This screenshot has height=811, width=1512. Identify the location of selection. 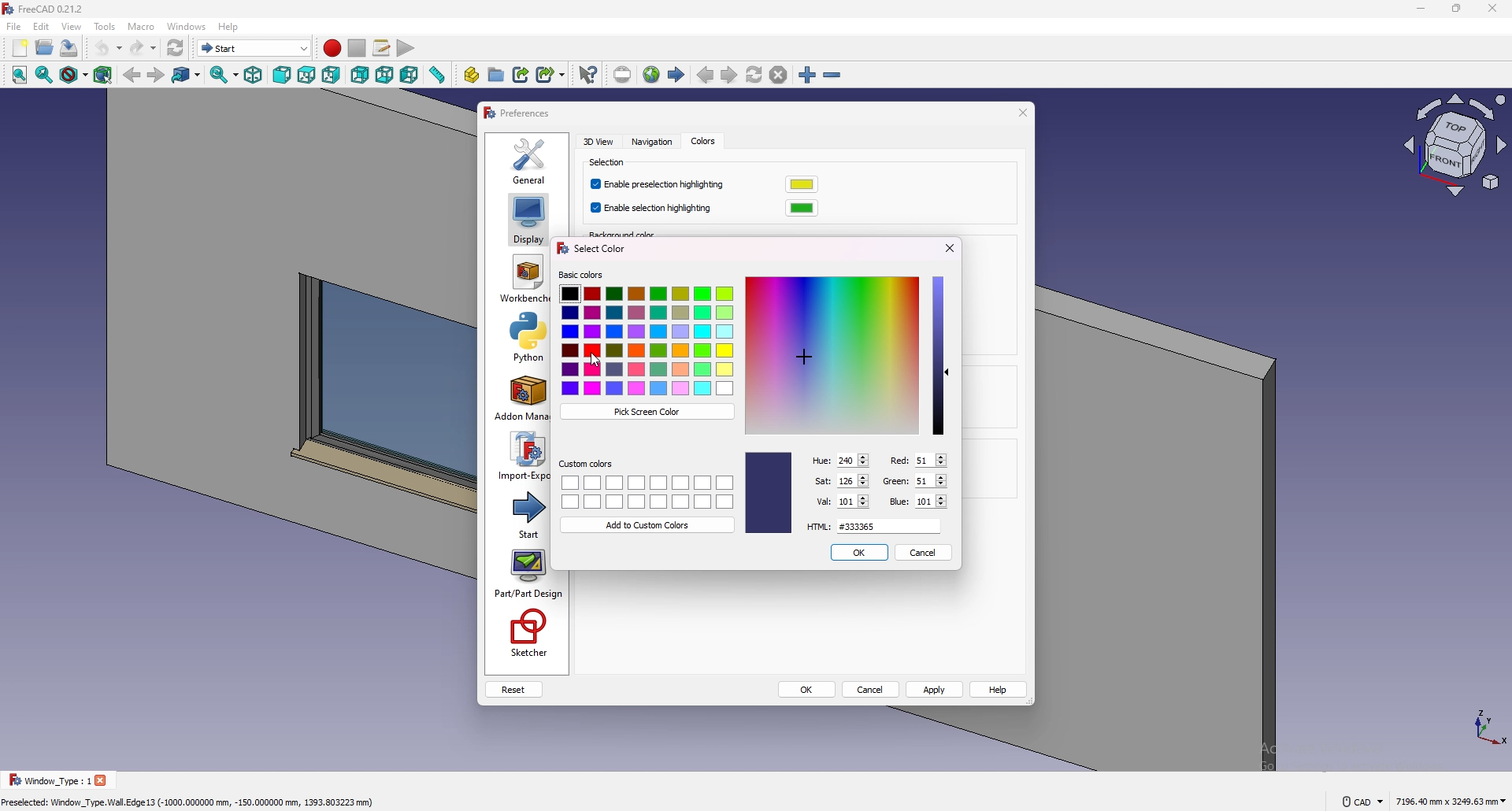
(610, 163).